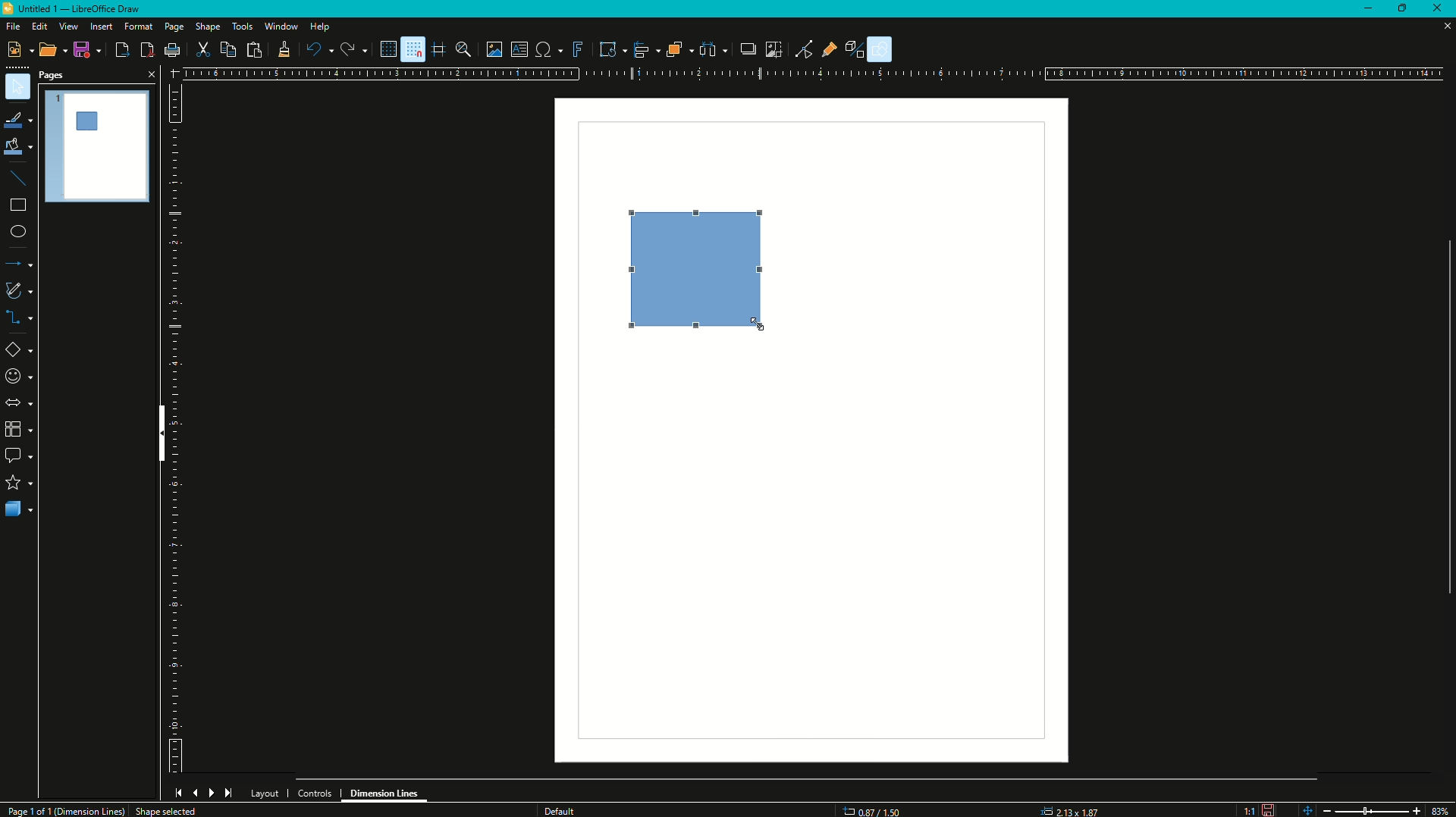 The height and width of the screenshot is (817, 1456). What do you see at coordinates (203, 793) in the screenshot?
I see `Navigation` at bounding box center [203, 793].